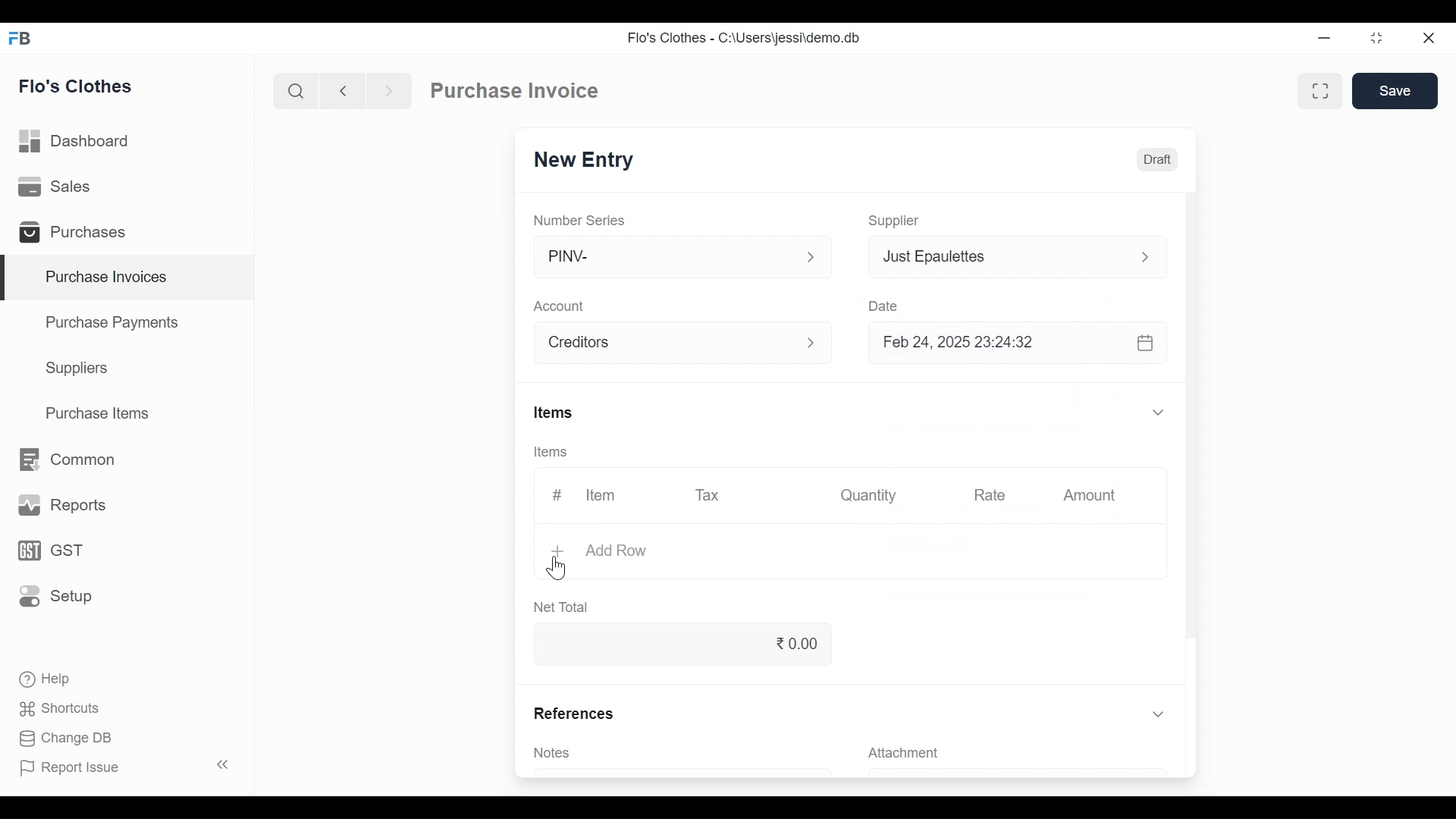 The width and height of the screenshot is (1456, 819). Describe the element at coordinates (78, 86) in the screenshot. I see `Flo's Clothes` at that location.